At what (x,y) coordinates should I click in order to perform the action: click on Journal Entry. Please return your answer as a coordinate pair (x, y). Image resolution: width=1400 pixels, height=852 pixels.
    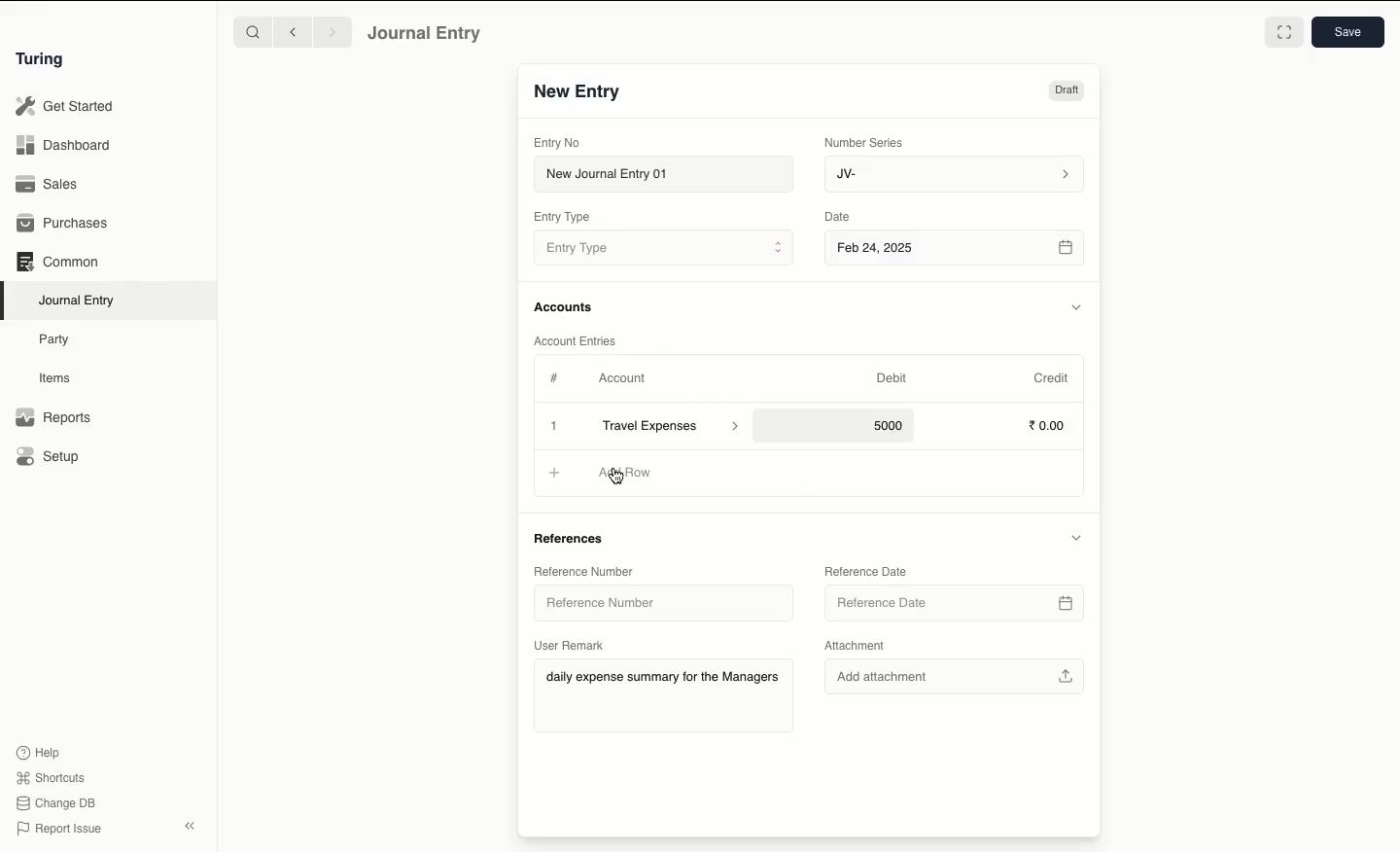
    Looking at the image, I should click on (78, 302).